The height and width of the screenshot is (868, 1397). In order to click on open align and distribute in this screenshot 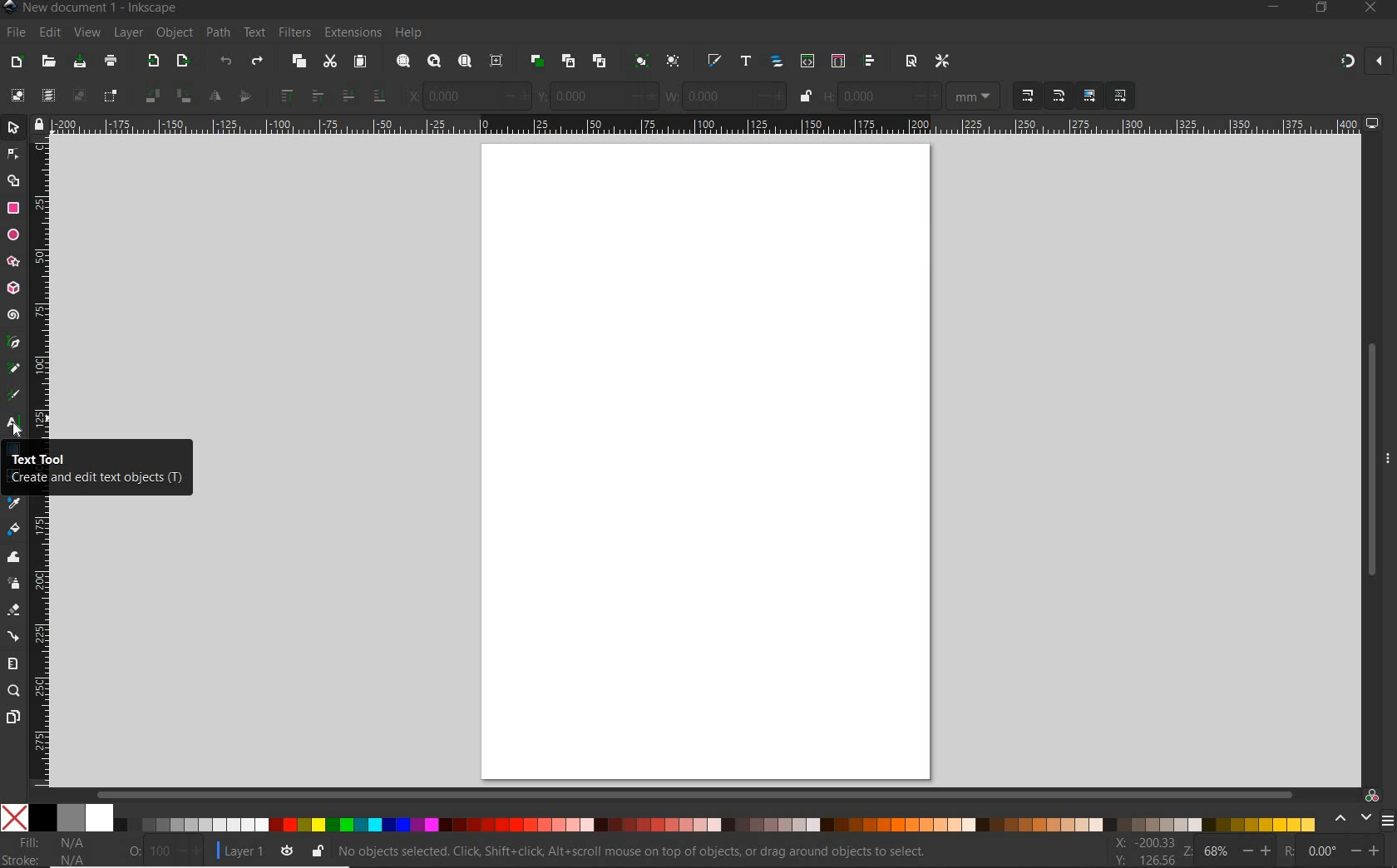, I will do `click(868, 61)`.